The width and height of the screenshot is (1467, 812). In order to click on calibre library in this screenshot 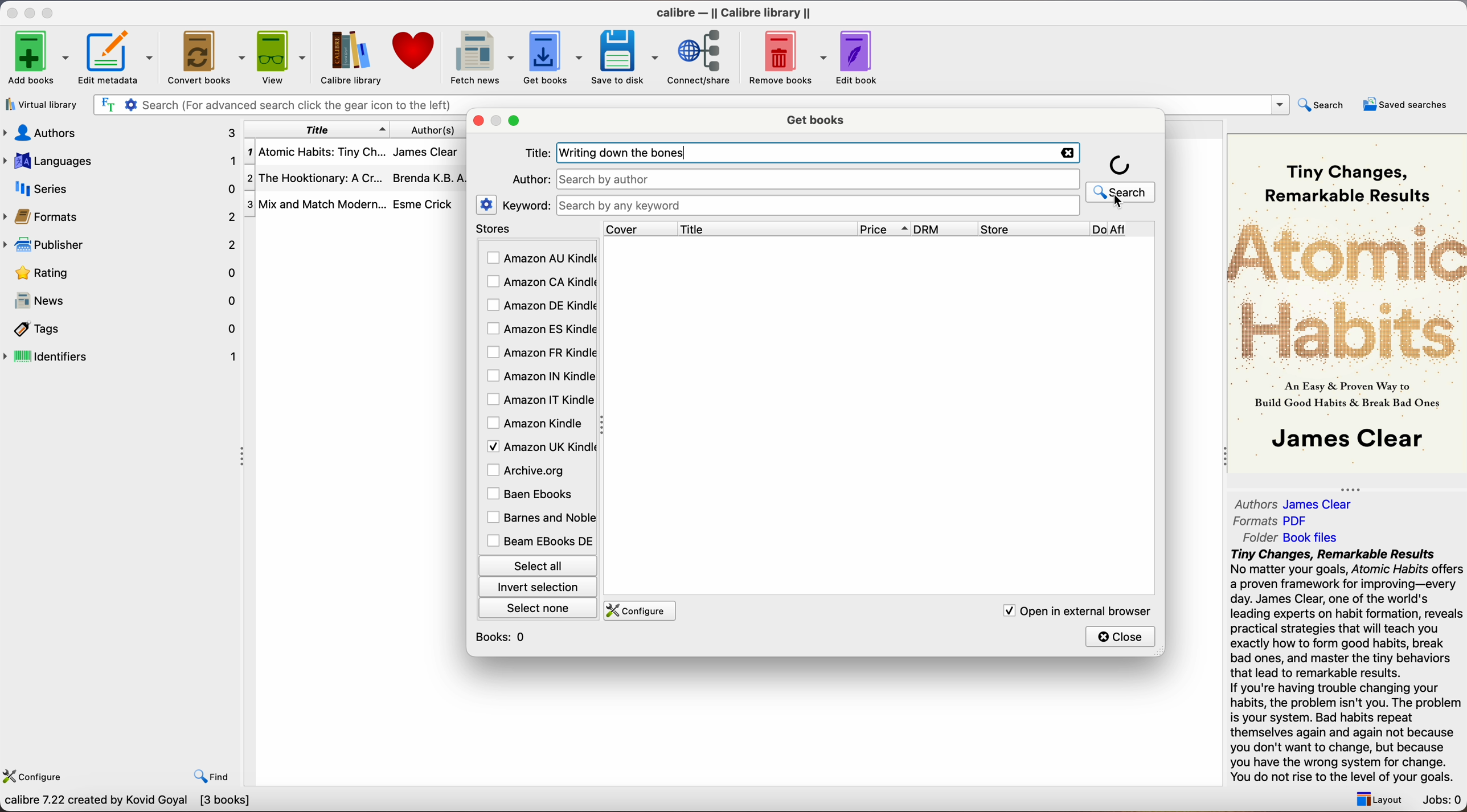, I will do `click(346, 58)`.